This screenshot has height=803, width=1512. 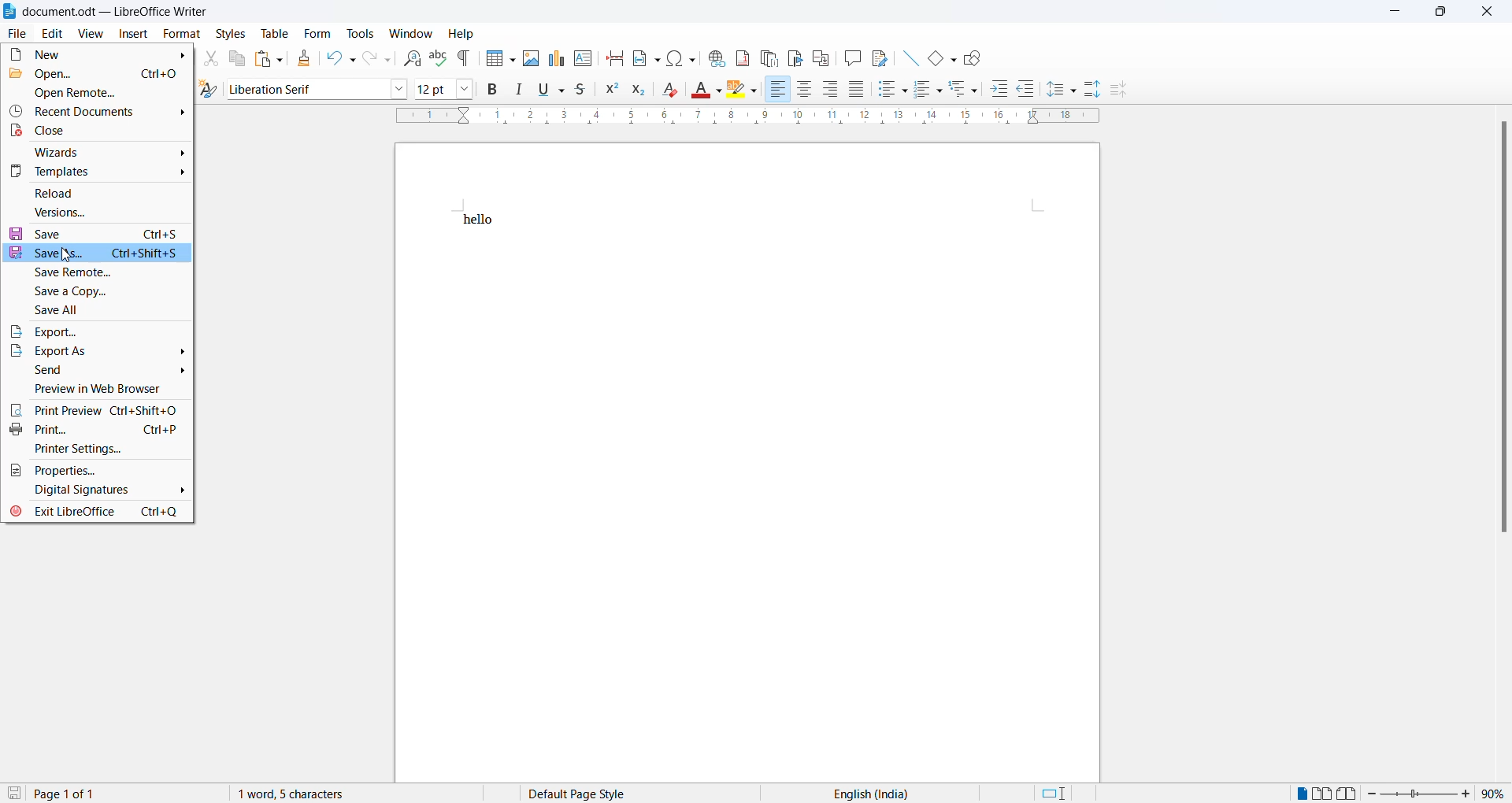 What do you see at coordinates (182, 34) in the screenshot?
I see `Format` at bounding box center [182, 34].